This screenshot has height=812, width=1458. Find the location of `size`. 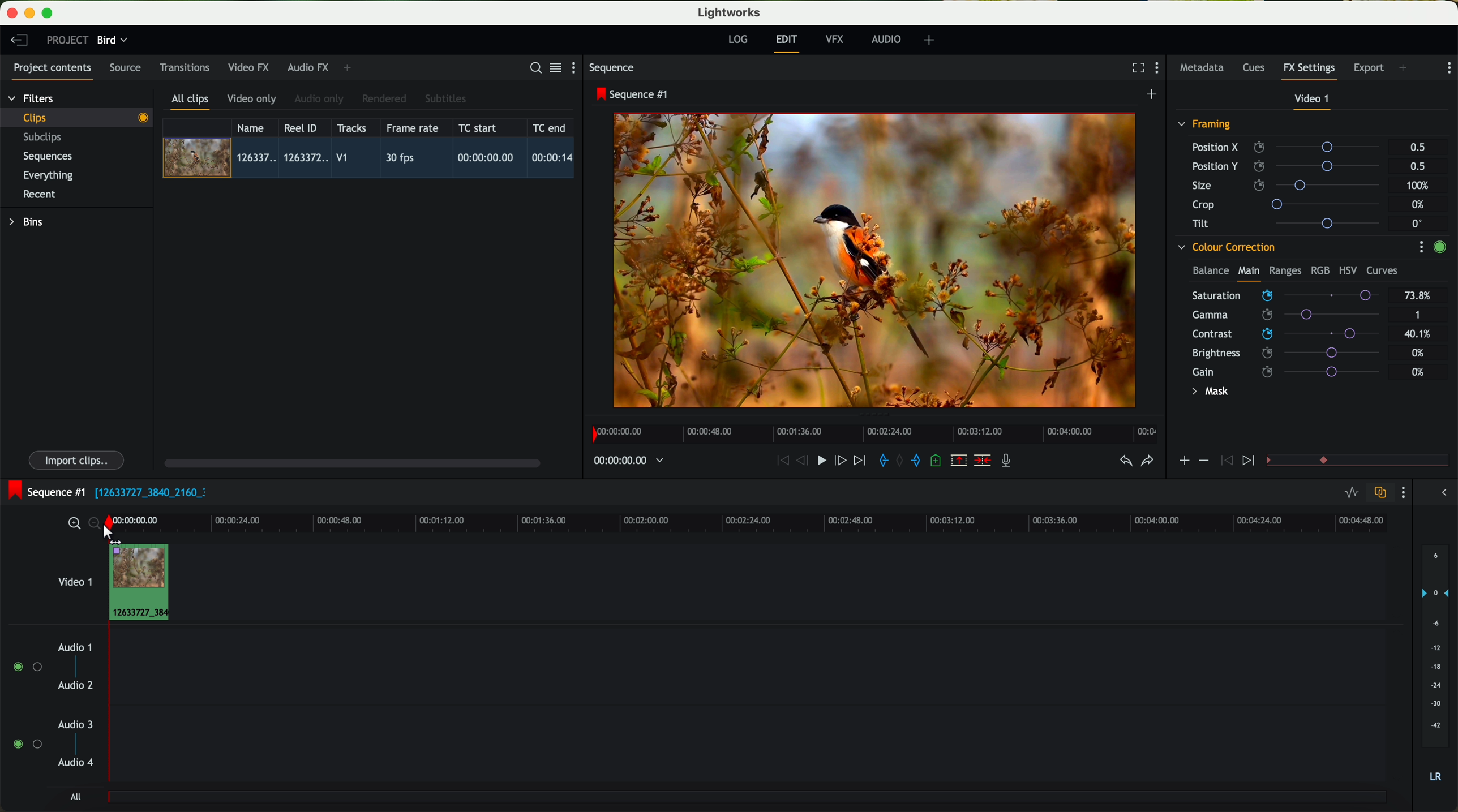

size is located at coordinates (1289, 186).